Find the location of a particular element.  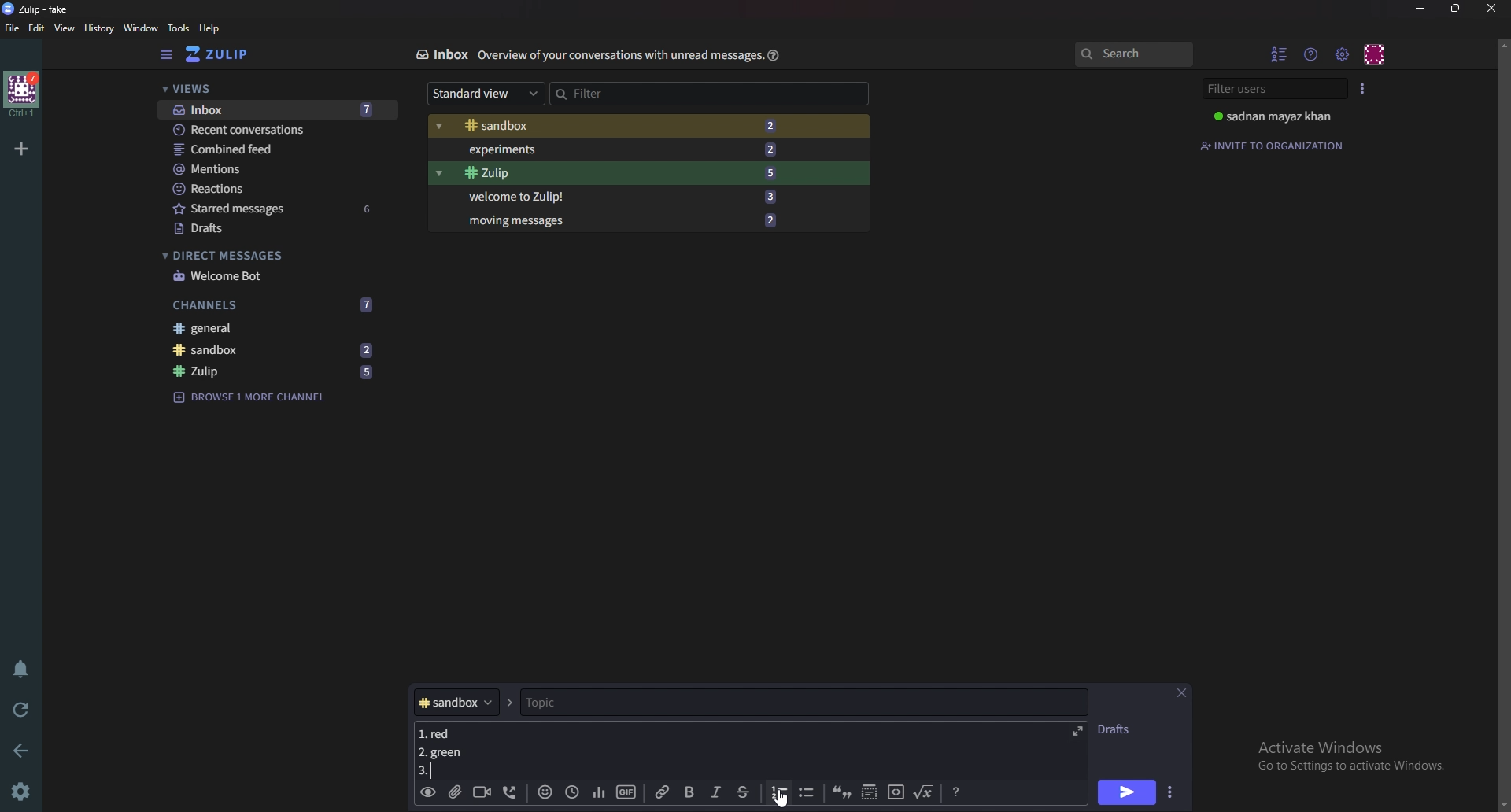

Direct messages is located at coordinates (268, 256).